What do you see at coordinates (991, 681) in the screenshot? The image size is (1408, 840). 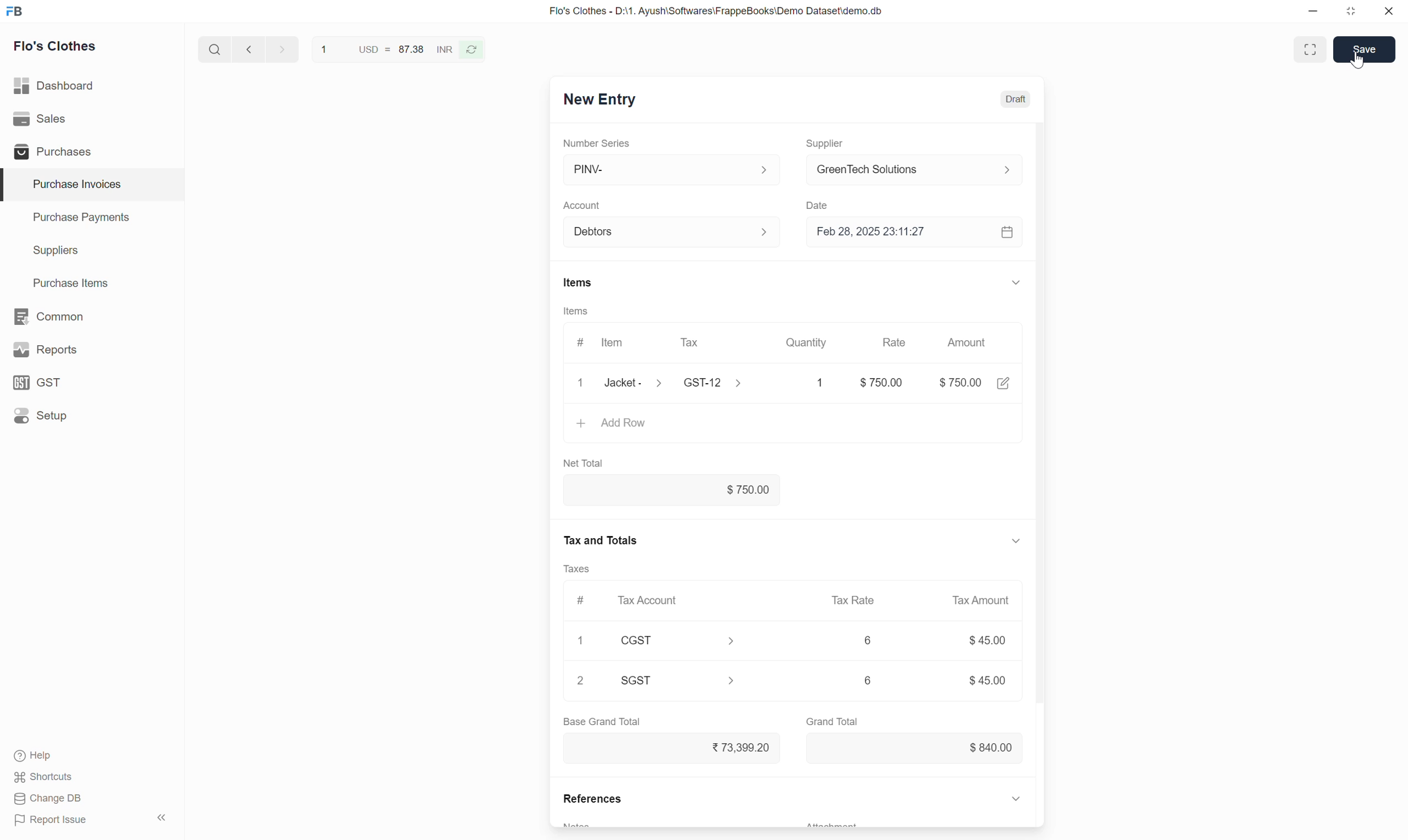 I see `$45.00` at bounding box center [991, 681].